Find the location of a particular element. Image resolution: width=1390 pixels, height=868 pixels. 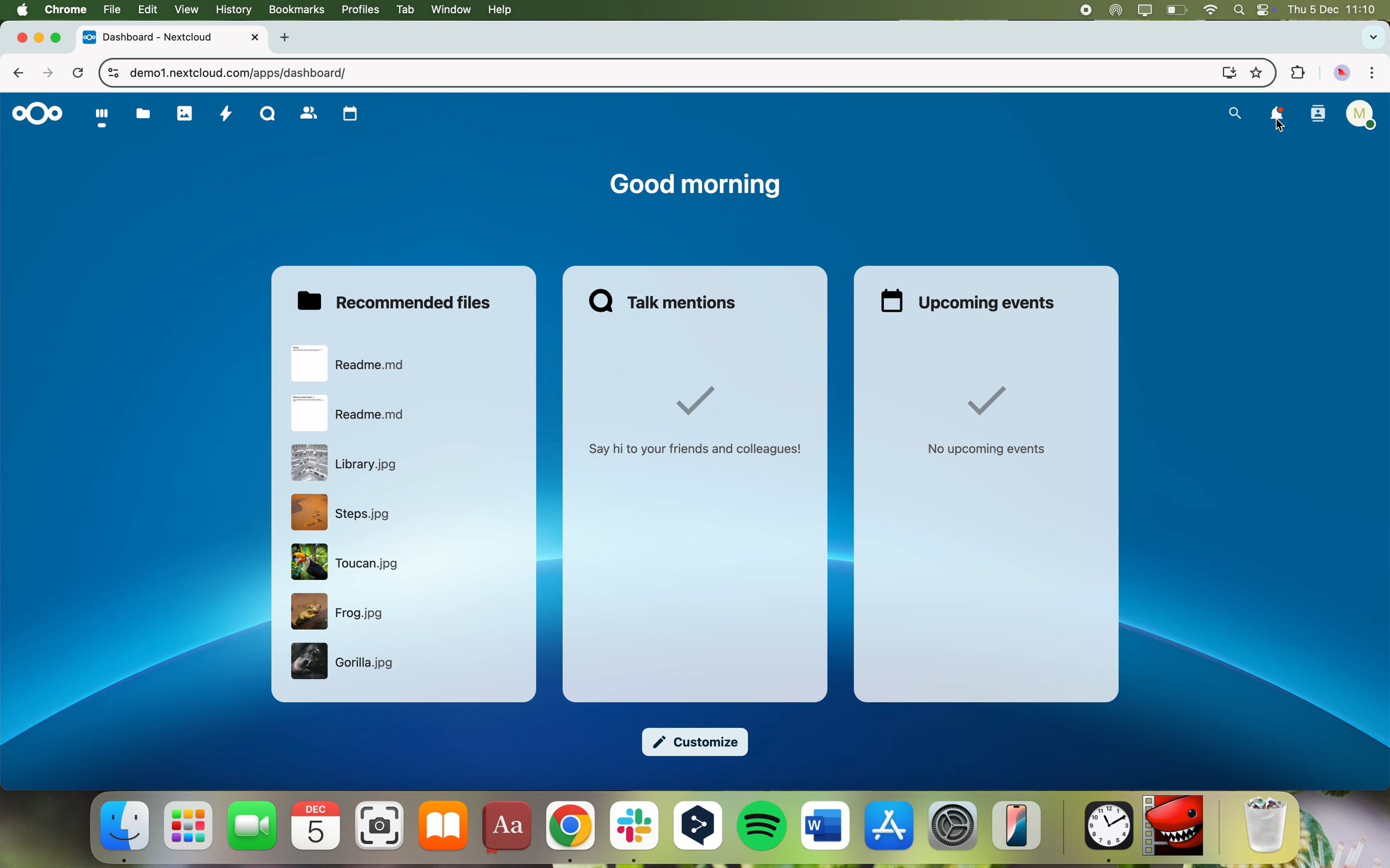

iPhone mirroring is located at coordinates (1017, 826).